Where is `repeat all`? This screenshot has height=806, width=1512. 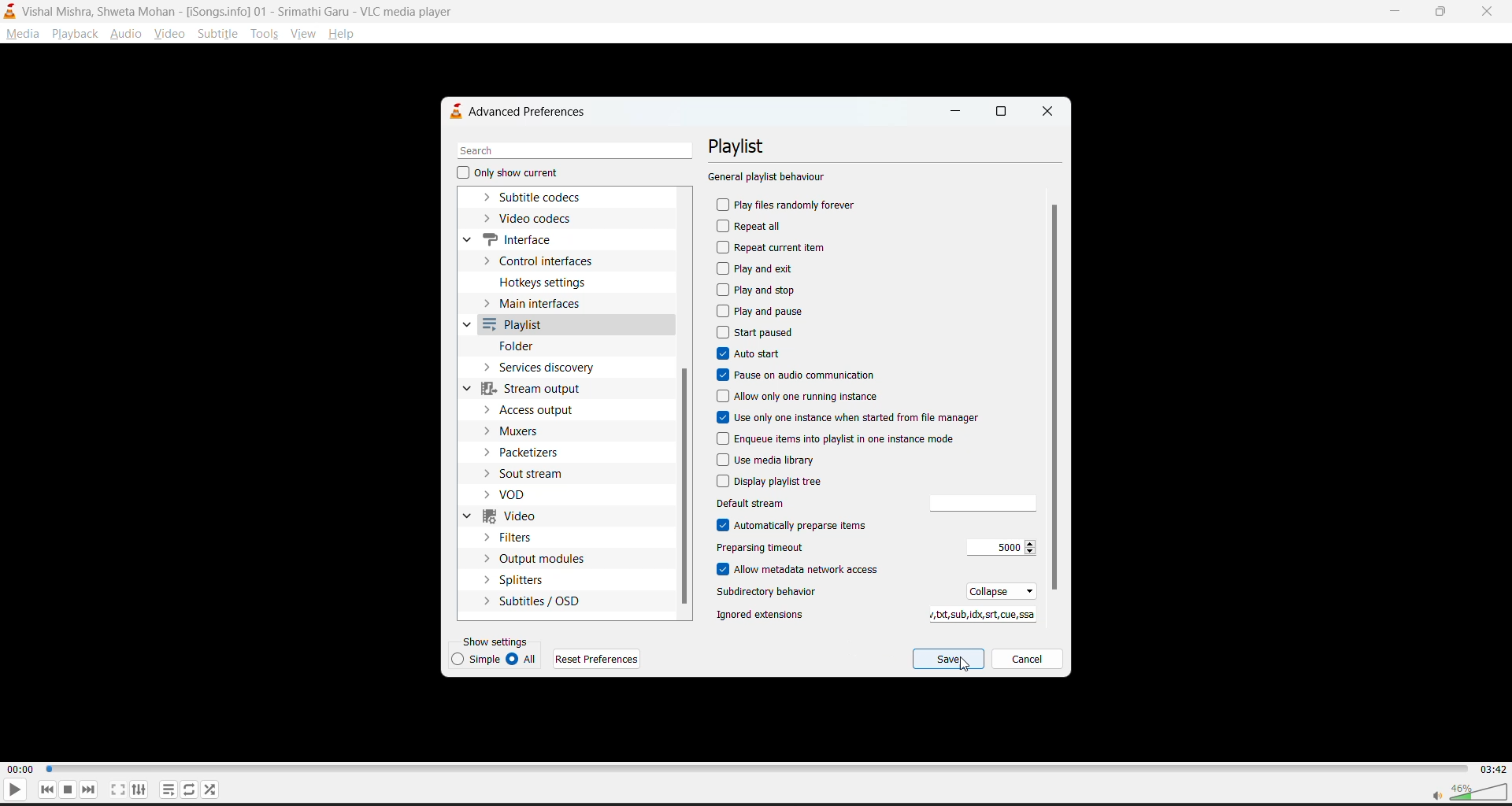 repeat all is located at coordinates (750, 227).